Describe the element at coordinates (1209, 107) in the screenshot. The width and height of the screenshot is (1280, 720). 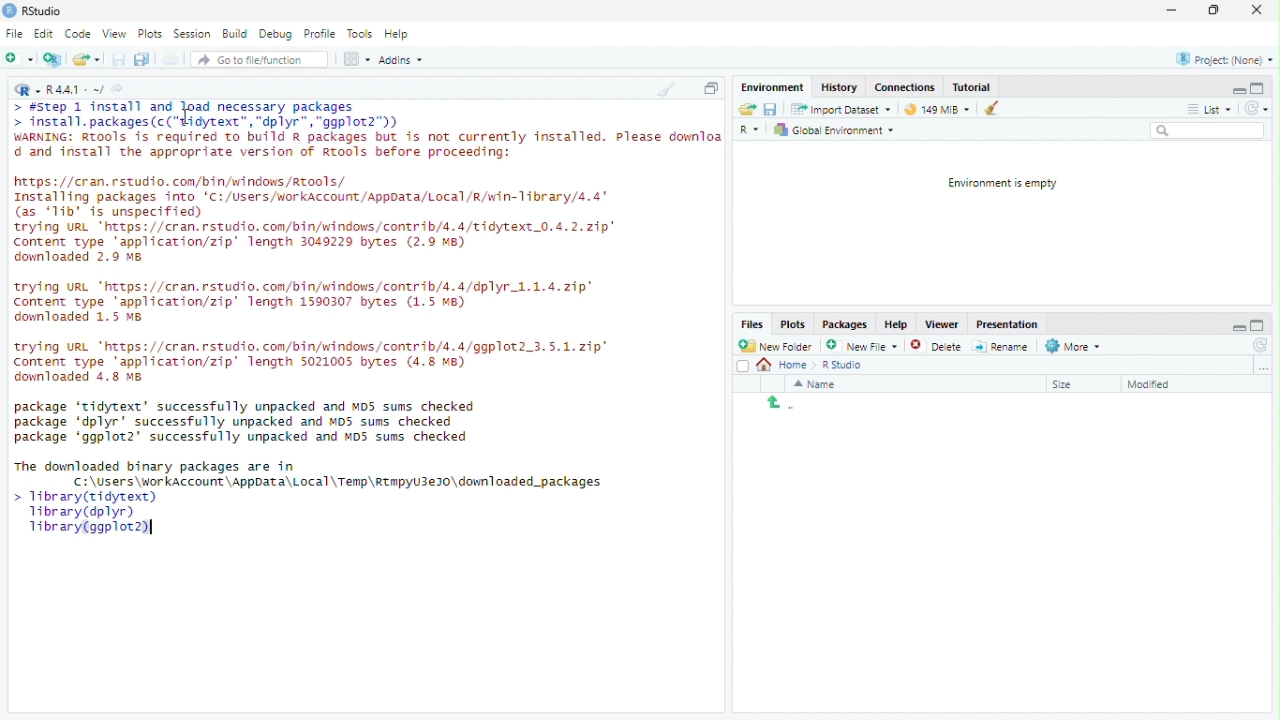
I see `List` at that location.